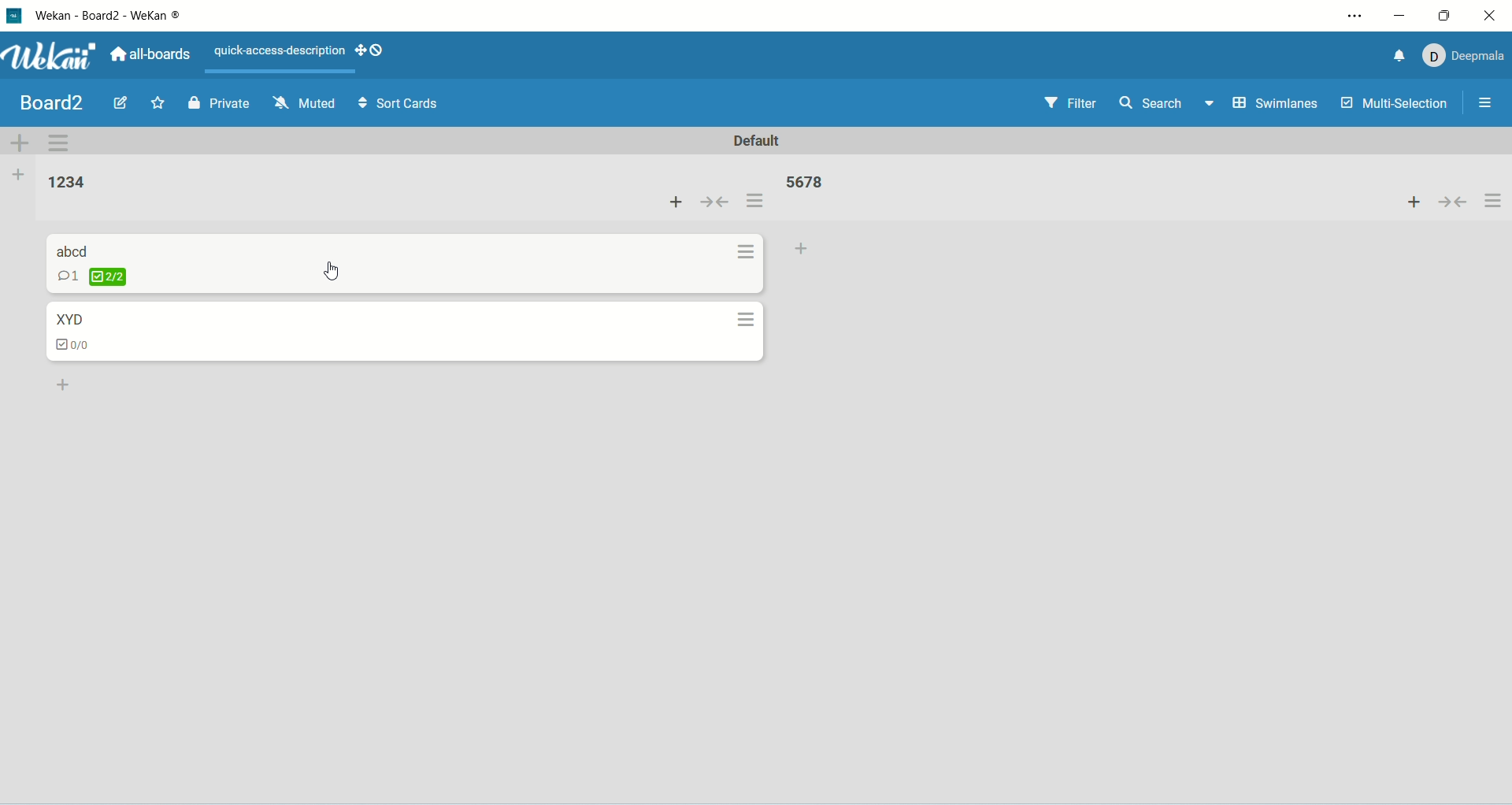 This screenshot has width=1512, height=805. I want to click on maximize, so click(1442, 16).